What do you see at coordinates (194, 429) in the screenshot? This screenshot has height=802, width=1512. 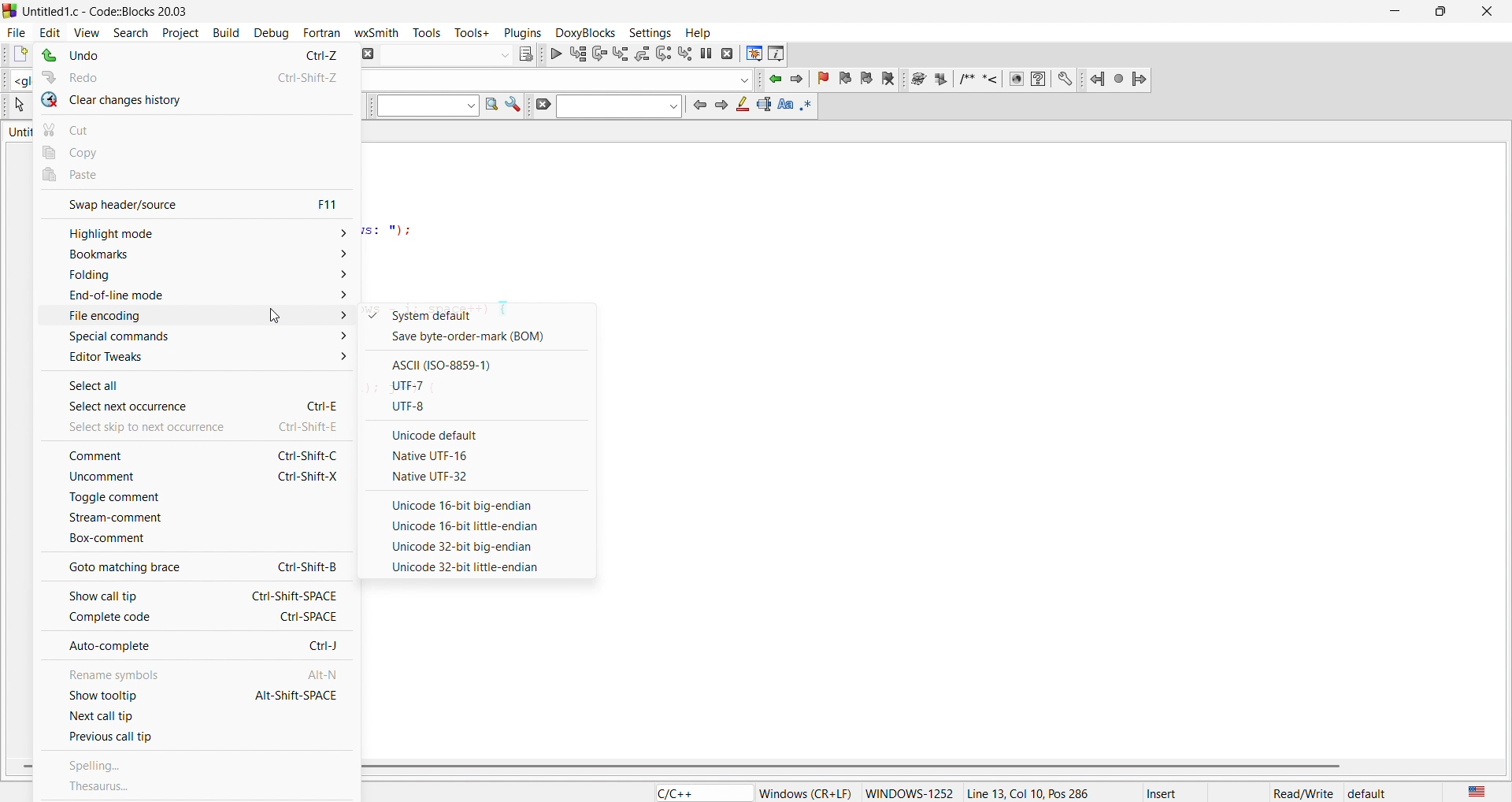 I see `skip` at bounding box center [194, 429].